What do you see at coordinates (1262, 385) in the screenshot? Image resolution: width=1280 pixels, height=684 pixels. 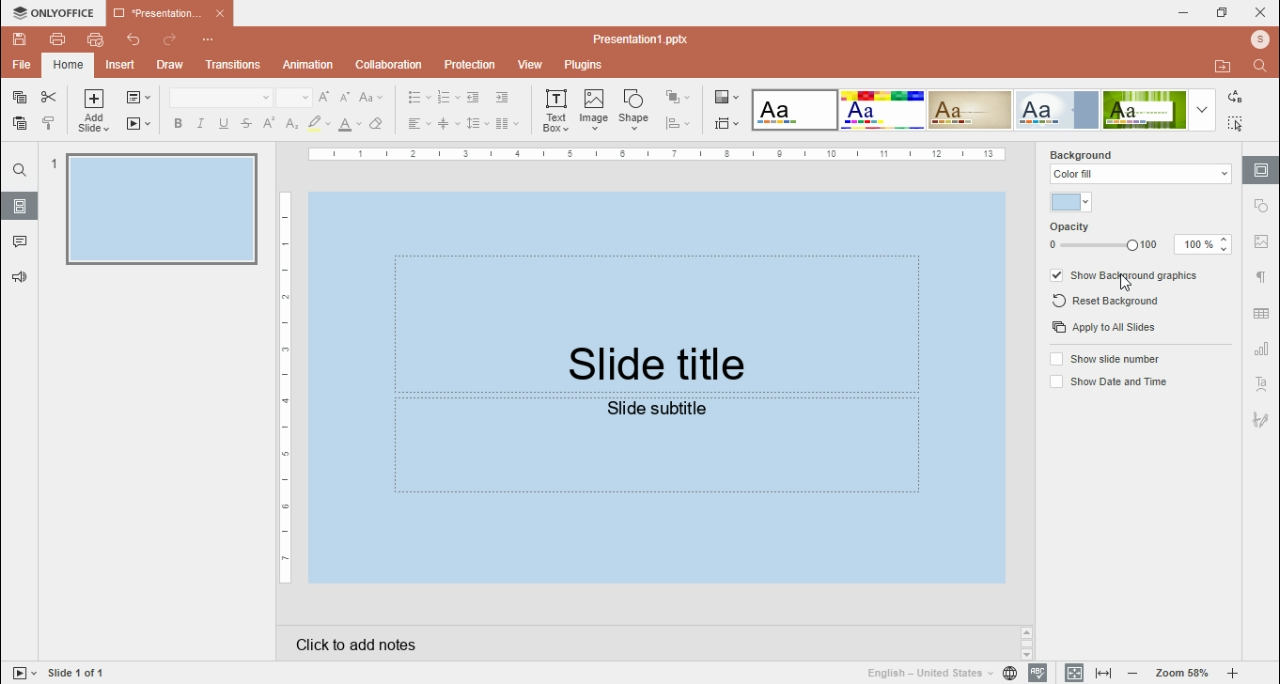 I see `text art settings` at bounding box center [1262, 385].